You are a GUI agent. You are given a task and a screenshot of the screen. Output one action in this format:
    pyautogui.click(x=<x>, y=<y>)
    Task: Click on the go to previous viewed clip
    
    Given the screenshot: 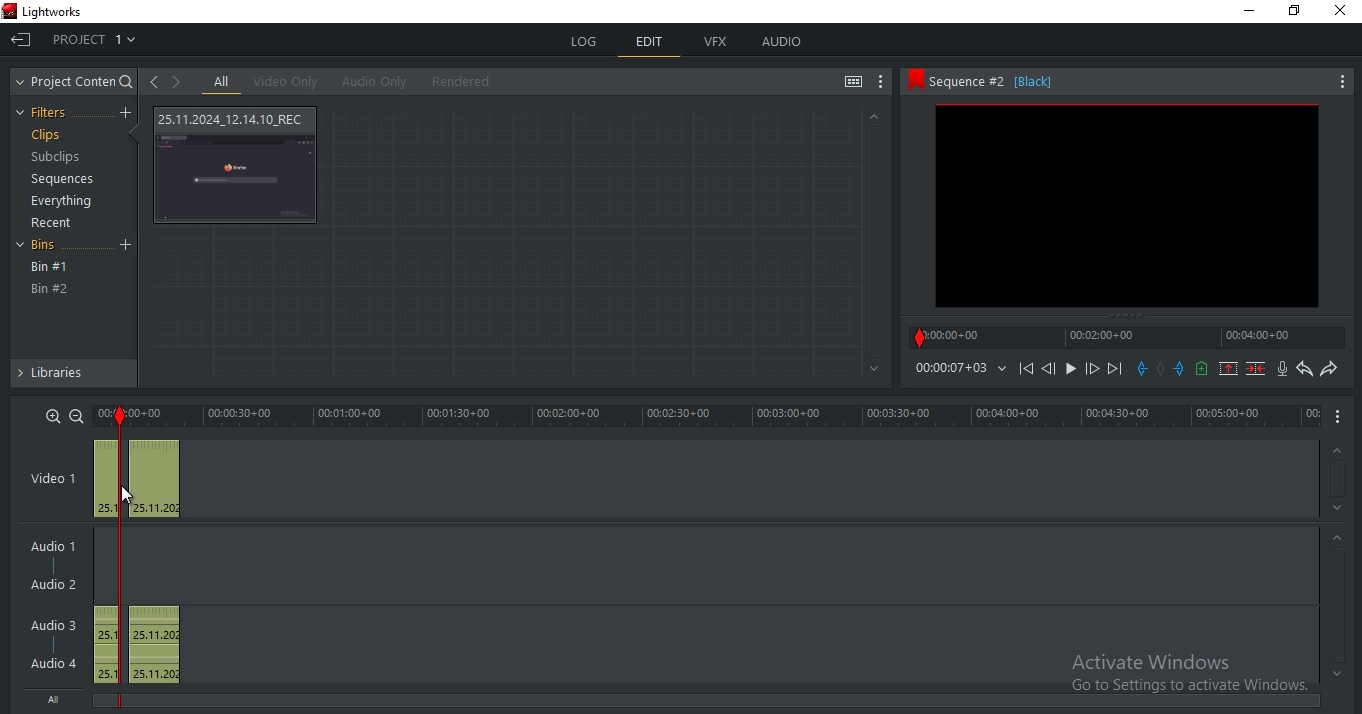 What is the action you would take?
    pyautogui.click(x=153, y=81)
    